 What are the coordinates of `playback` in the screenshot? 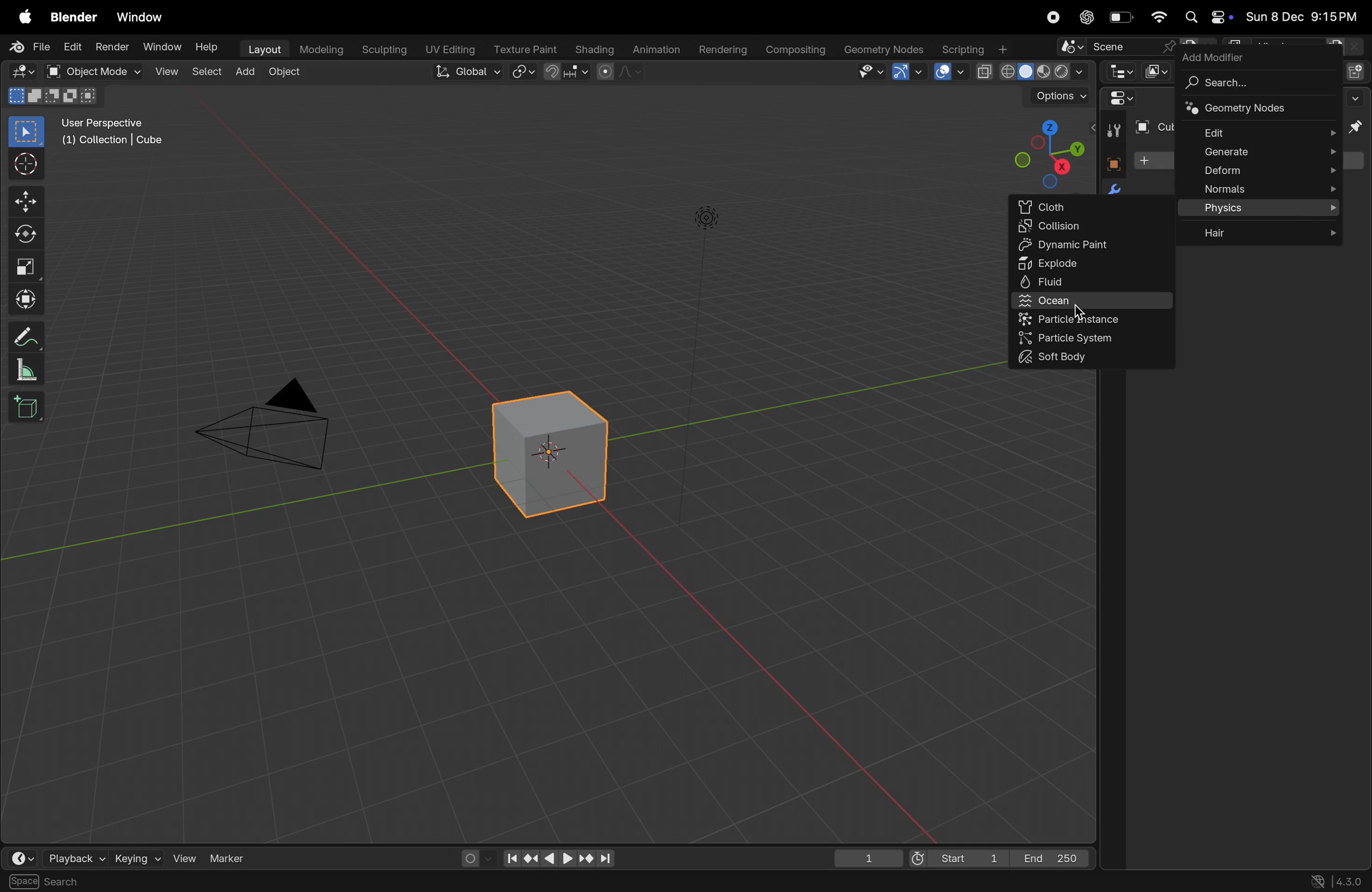 It's located at (75, 857).